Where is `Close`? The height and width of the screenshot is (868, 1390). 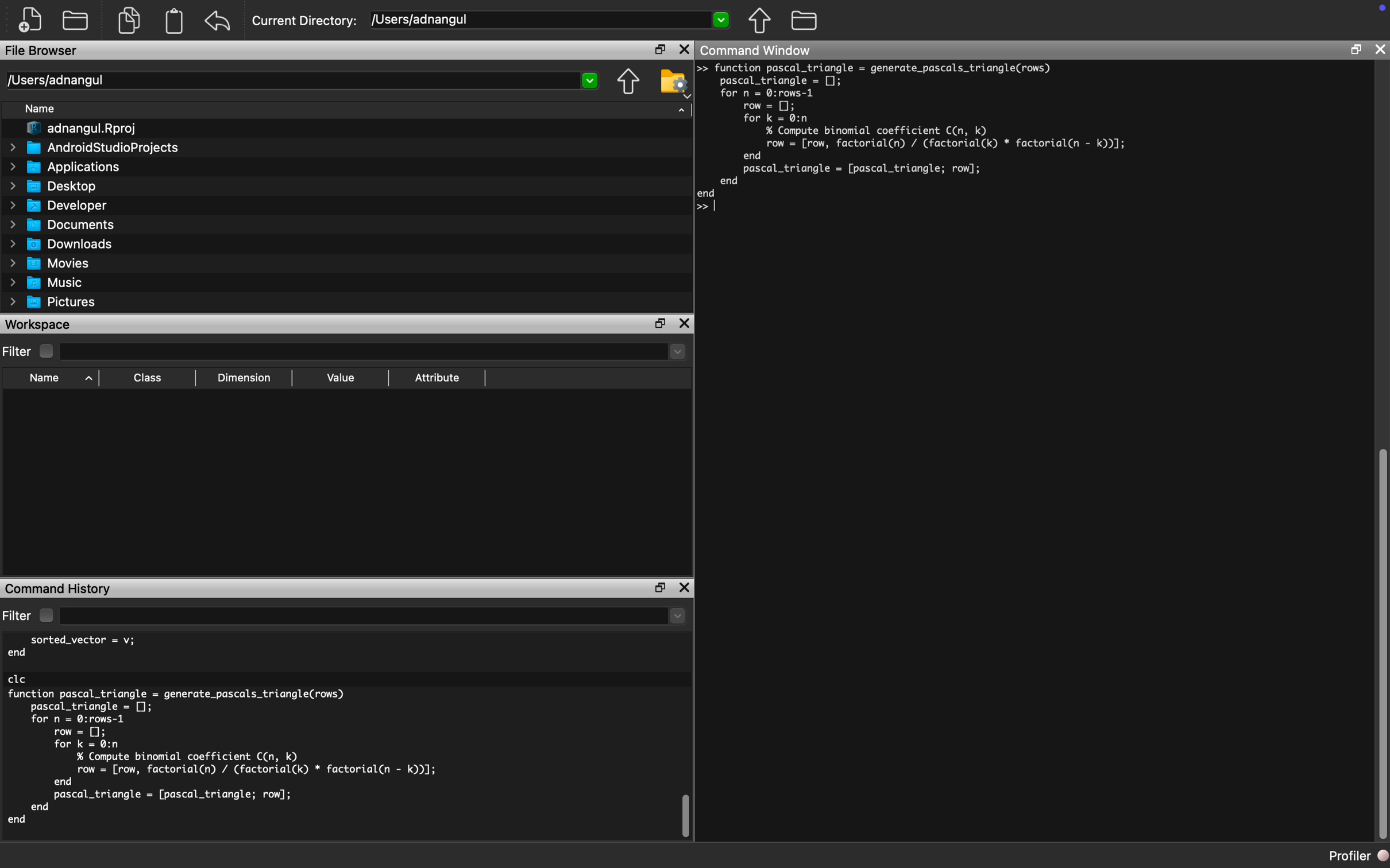
Close is located at coordinates (685, 50).